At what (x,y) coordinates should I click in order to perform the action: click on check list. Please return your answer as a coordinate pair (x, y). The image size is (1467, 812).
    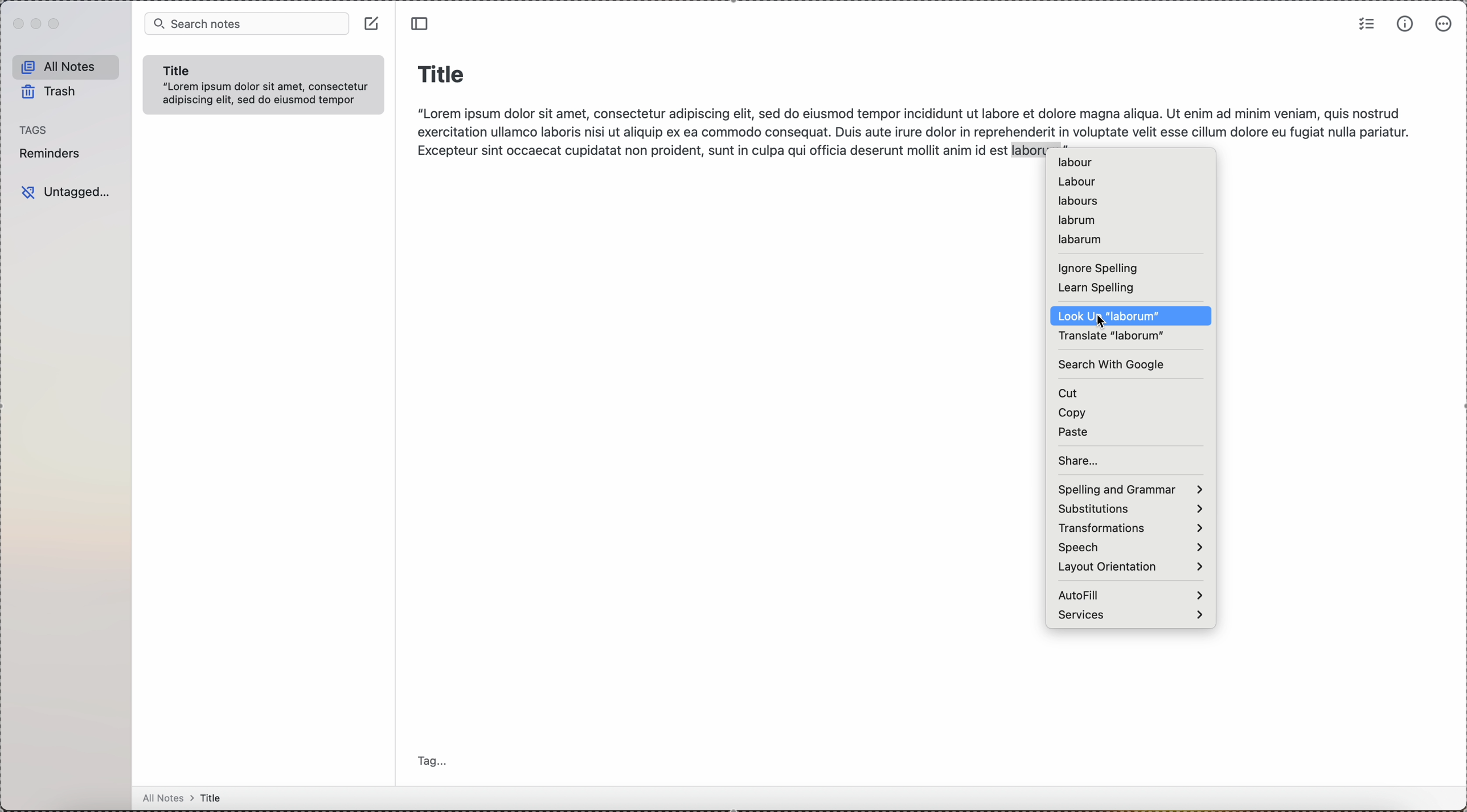
    Looking at the image, I should click on (1362, 24).